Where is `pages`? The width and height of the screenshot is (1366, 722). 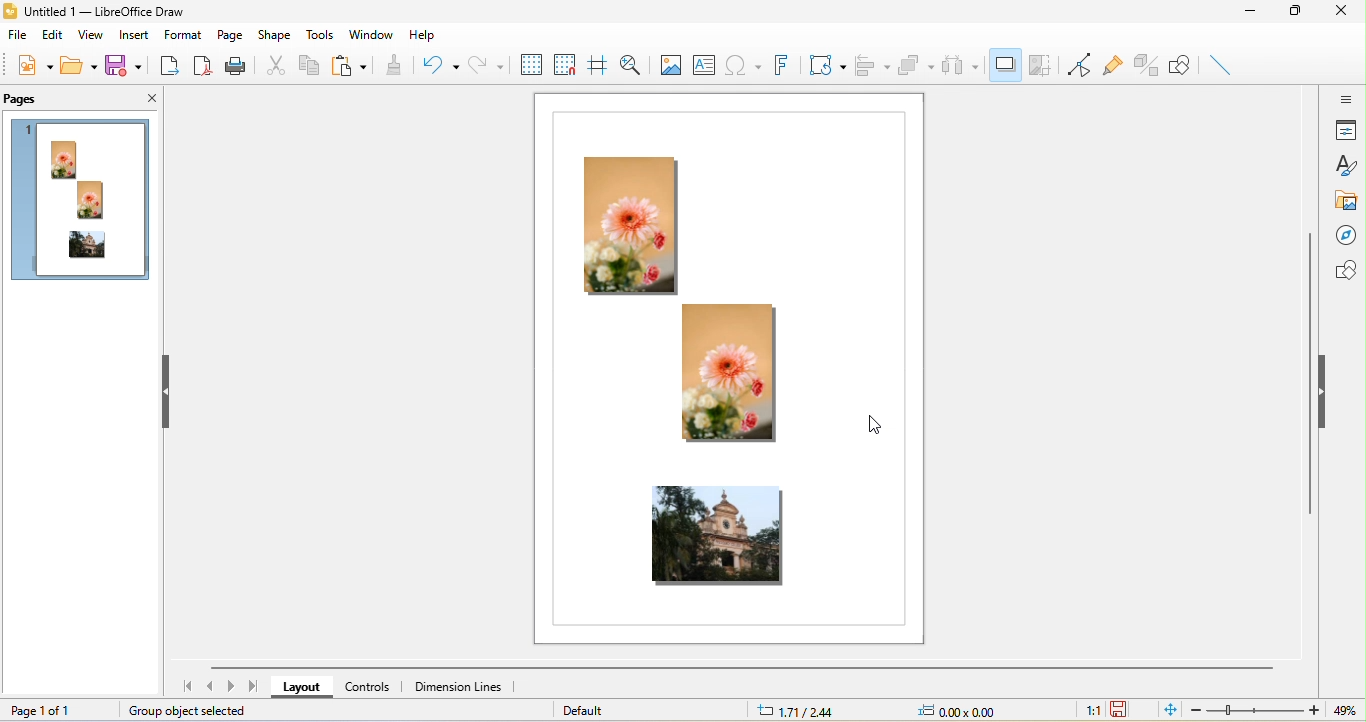 pages is located at coordinates (26, 99).